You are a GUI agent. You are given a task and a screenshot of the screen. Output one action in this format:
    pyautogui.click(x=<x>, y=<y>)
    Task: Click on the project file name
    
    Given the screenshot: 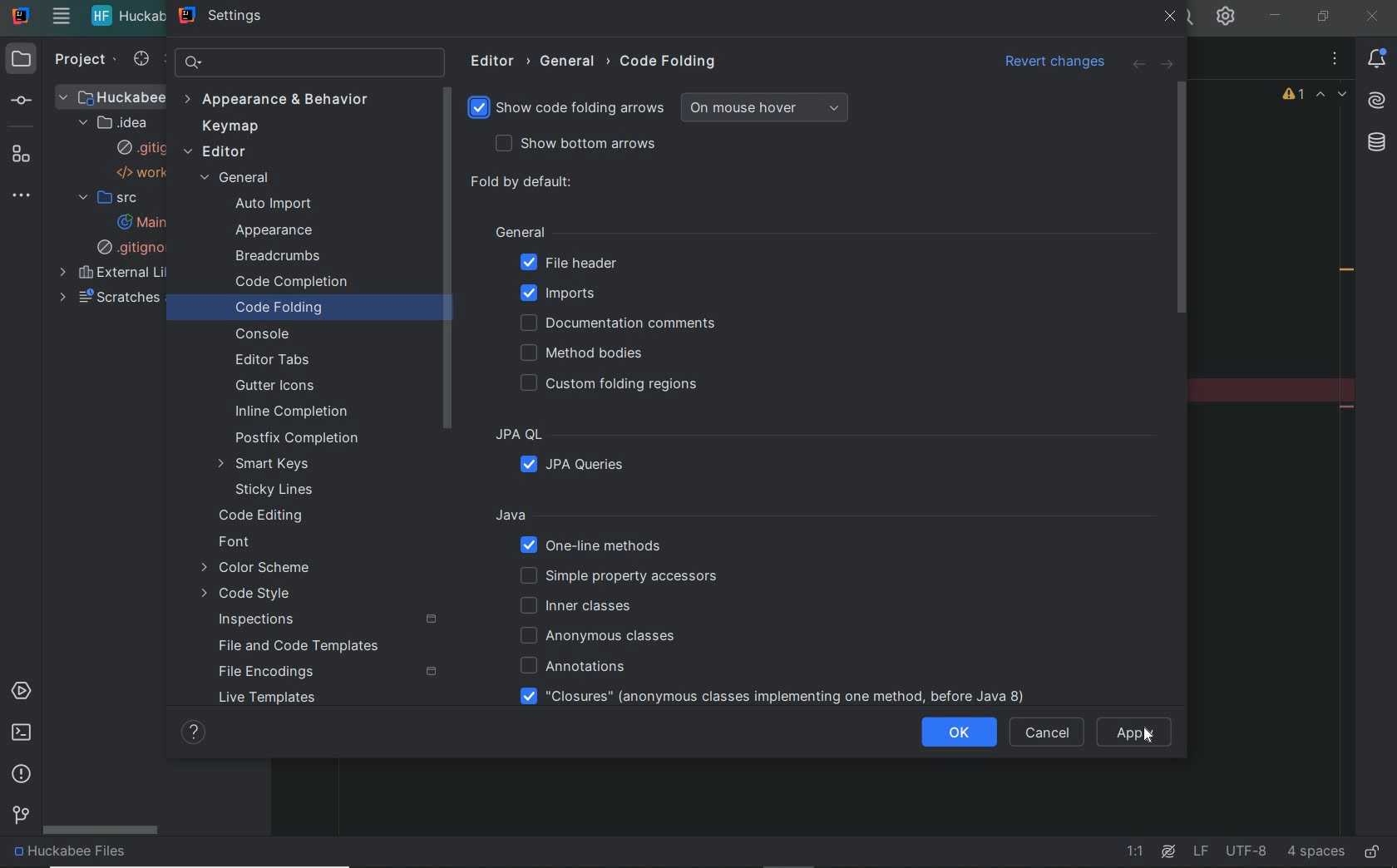 What is the action you would take?
    pyautogui.click(x=122, y=855)
    